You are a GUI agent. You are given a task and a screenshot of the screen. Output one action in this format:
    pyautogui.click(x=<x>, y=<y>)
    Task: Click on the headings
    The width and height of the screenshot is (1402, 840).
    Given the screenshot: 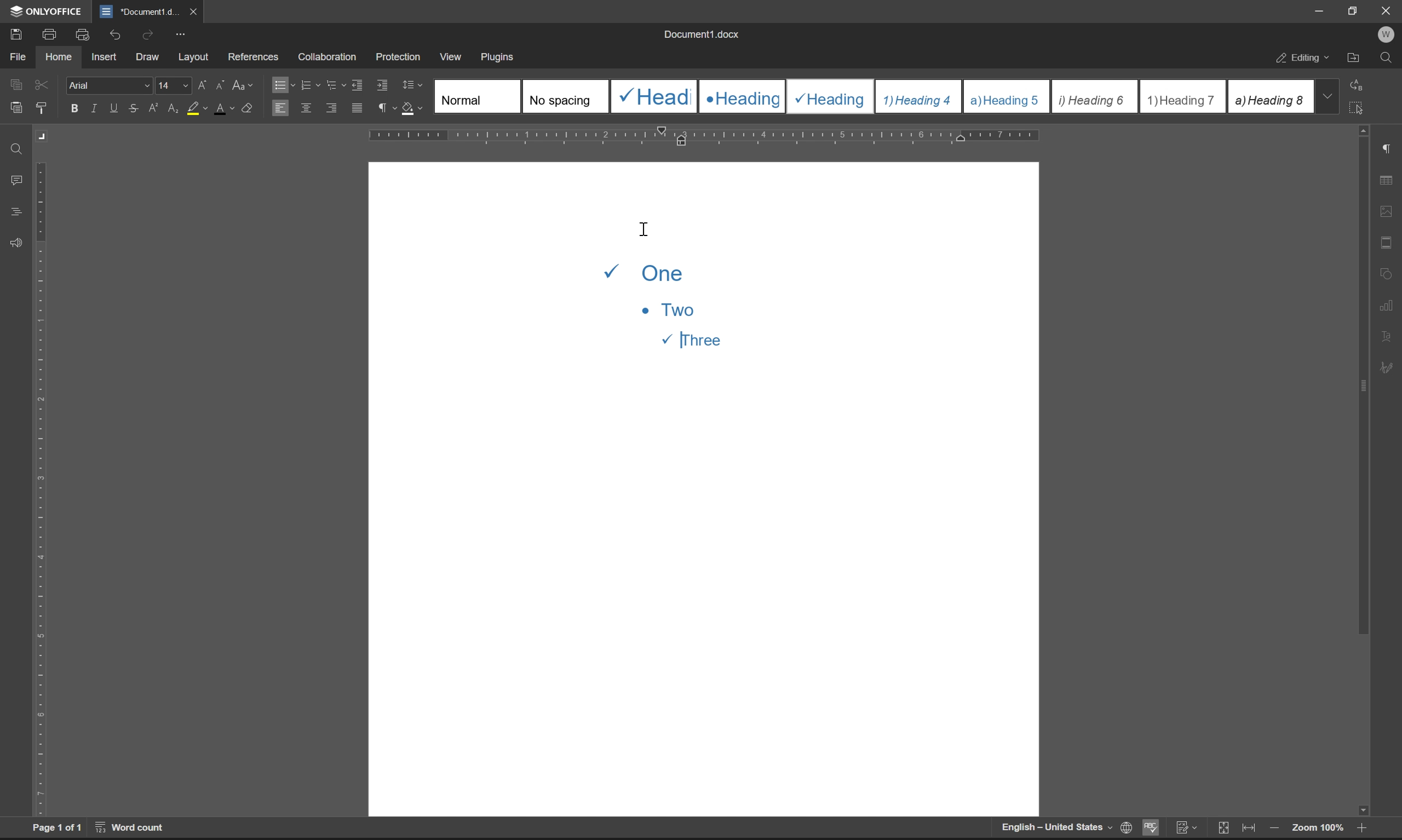 What is the action you would take?
    pyautogui.click(x=16, y=212)
    